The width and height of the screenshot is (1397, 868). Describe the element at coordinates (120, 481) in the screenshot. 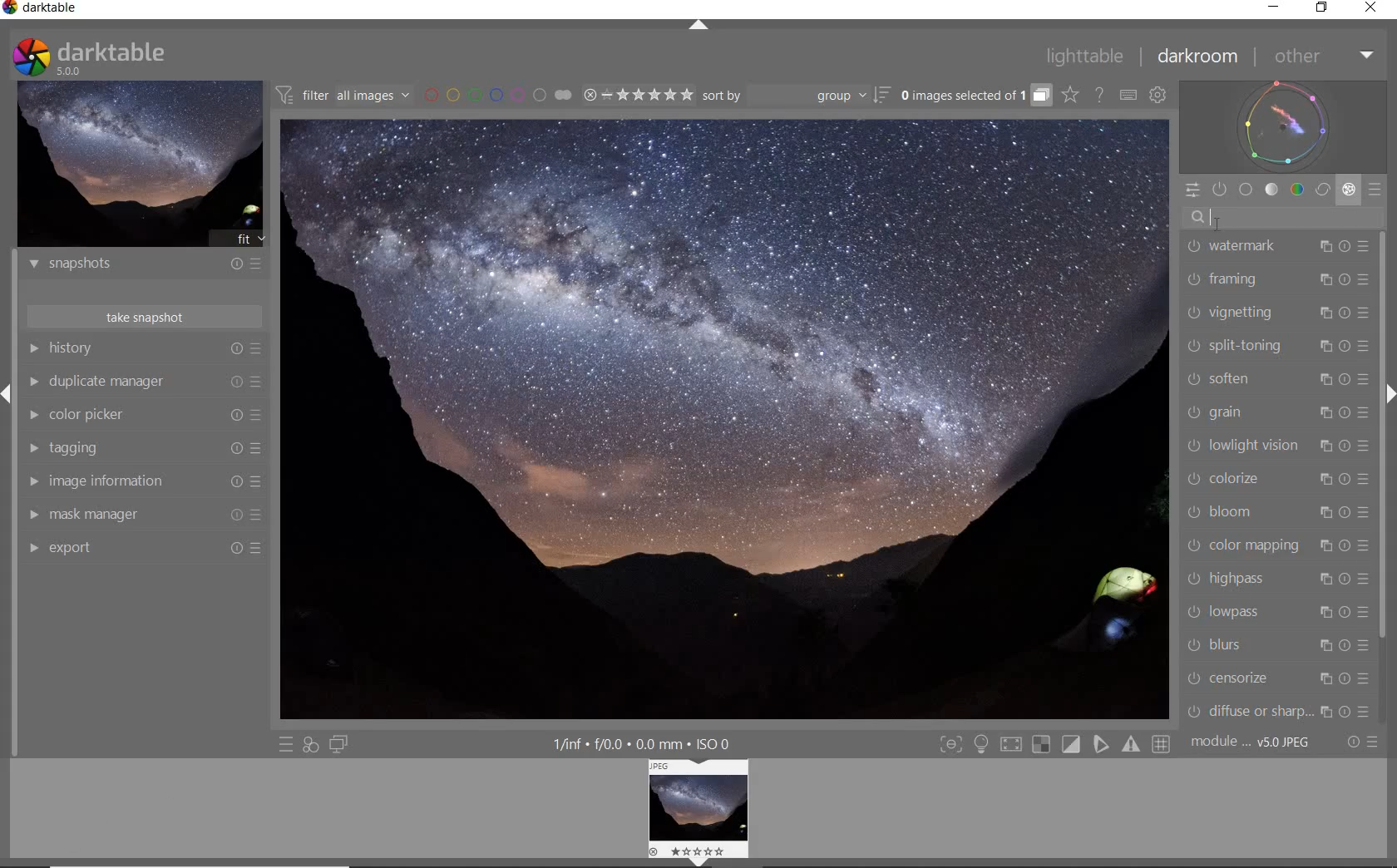

I see `image information` at that location.